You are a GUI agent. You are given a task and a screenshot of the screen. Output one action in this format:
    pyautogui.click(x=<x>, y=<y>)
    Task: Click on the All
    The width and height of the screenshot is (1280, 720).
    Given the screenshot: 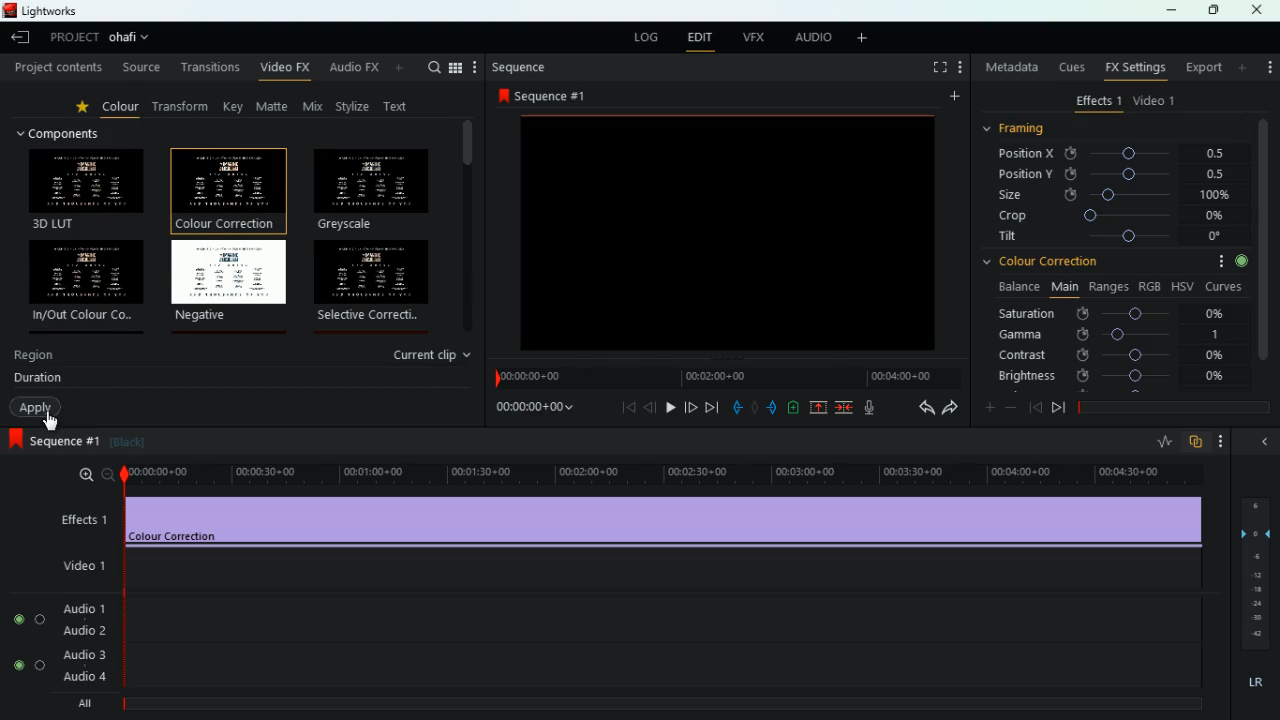 What is the action you would take?
    pyautogui.click(x=86, y=700)
    